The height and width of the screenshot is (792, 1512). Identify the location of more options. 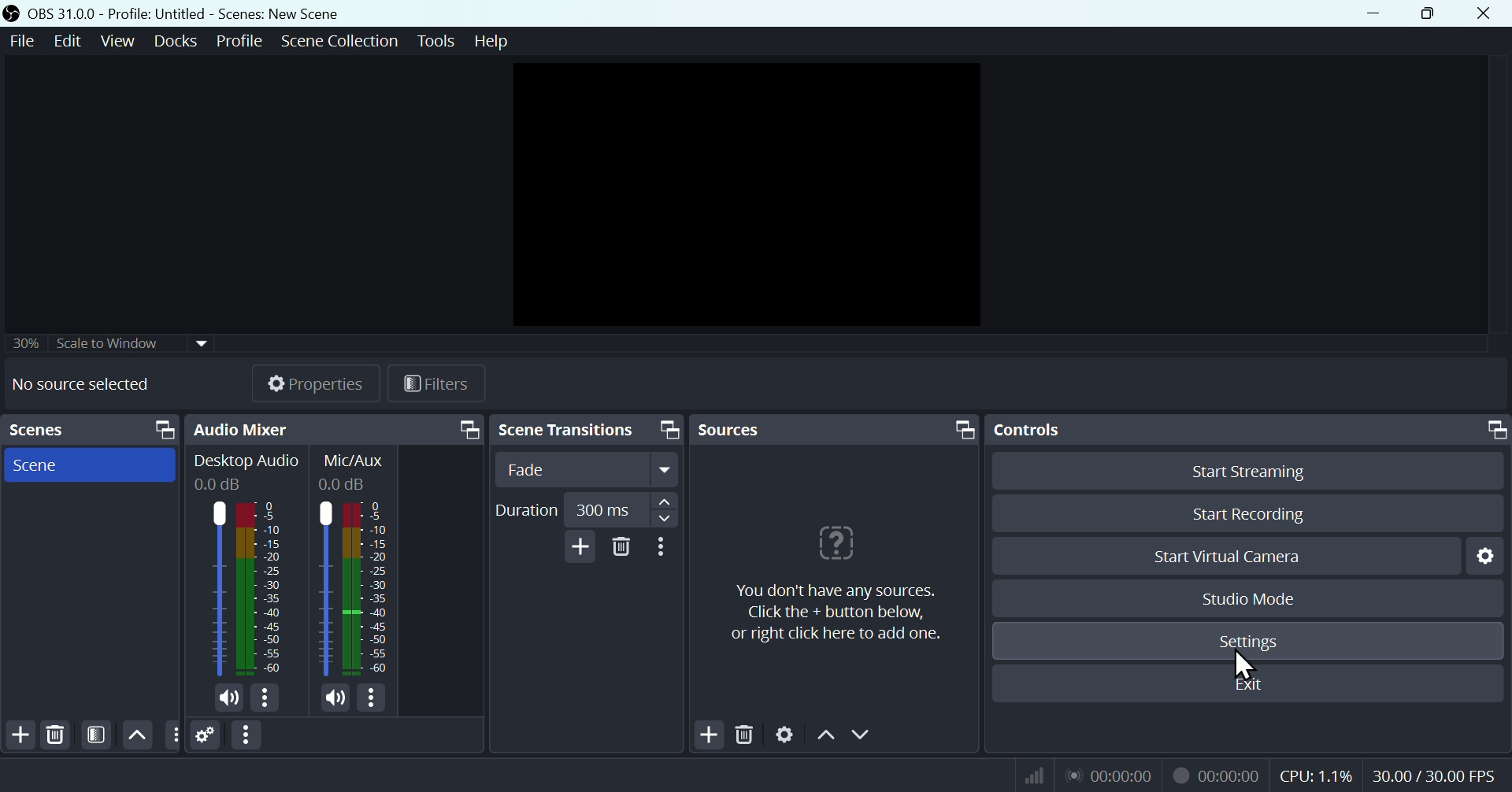
(376, 698).